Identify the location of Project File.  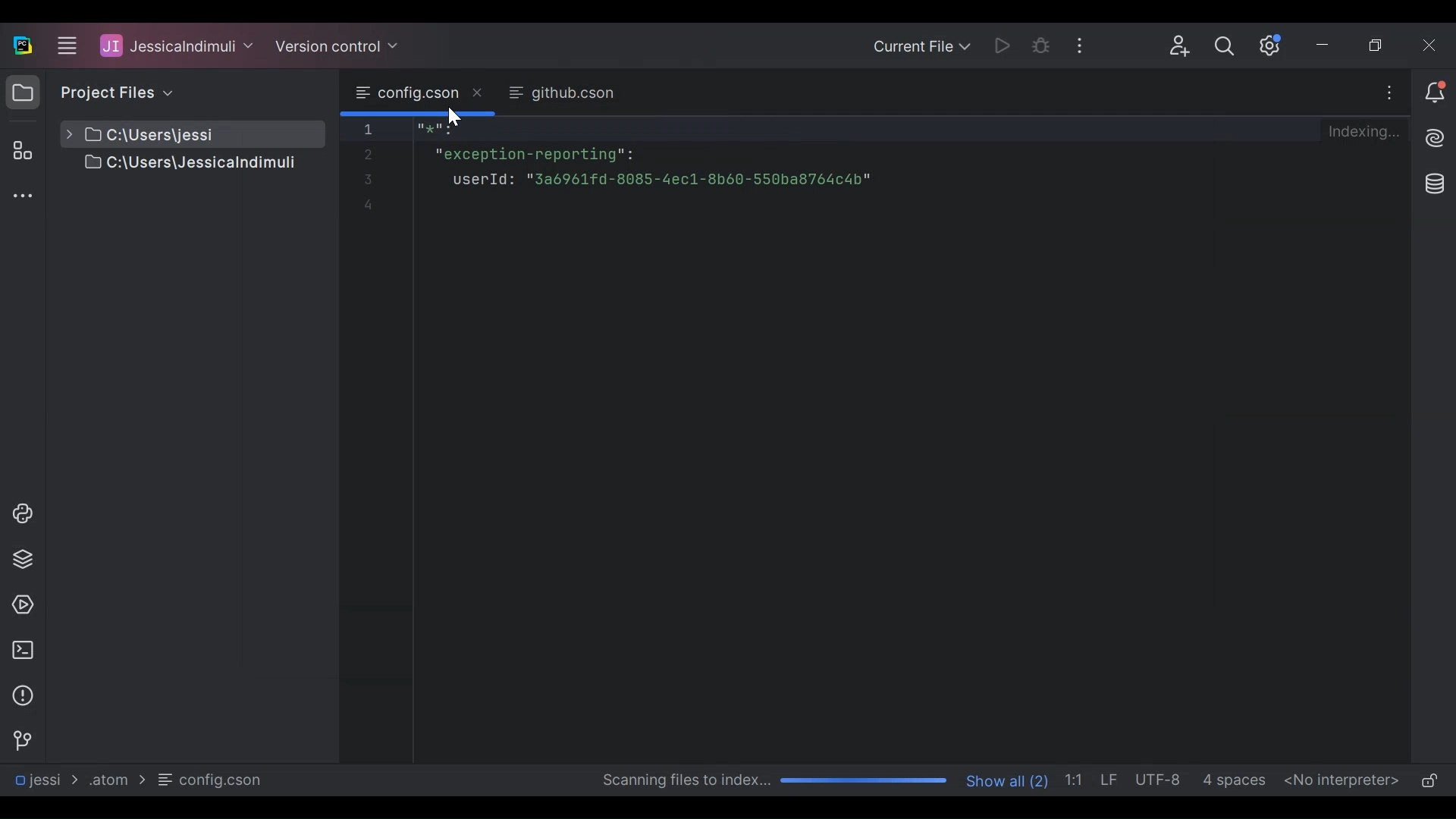
(174, 134).